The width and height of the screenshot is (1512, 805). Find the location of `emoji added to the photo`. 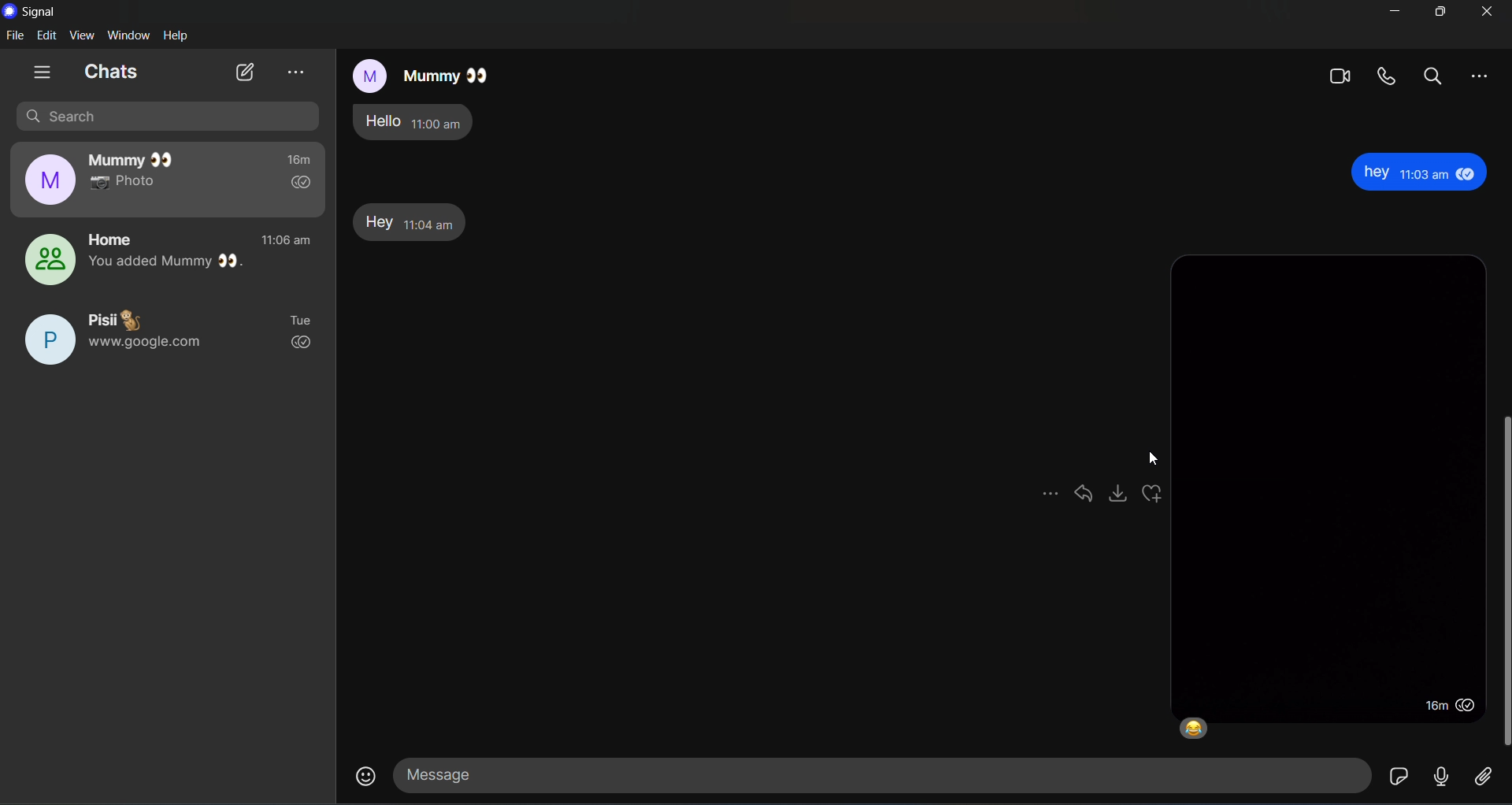

emoji added to the photo is located at coordinates (1198, 728).